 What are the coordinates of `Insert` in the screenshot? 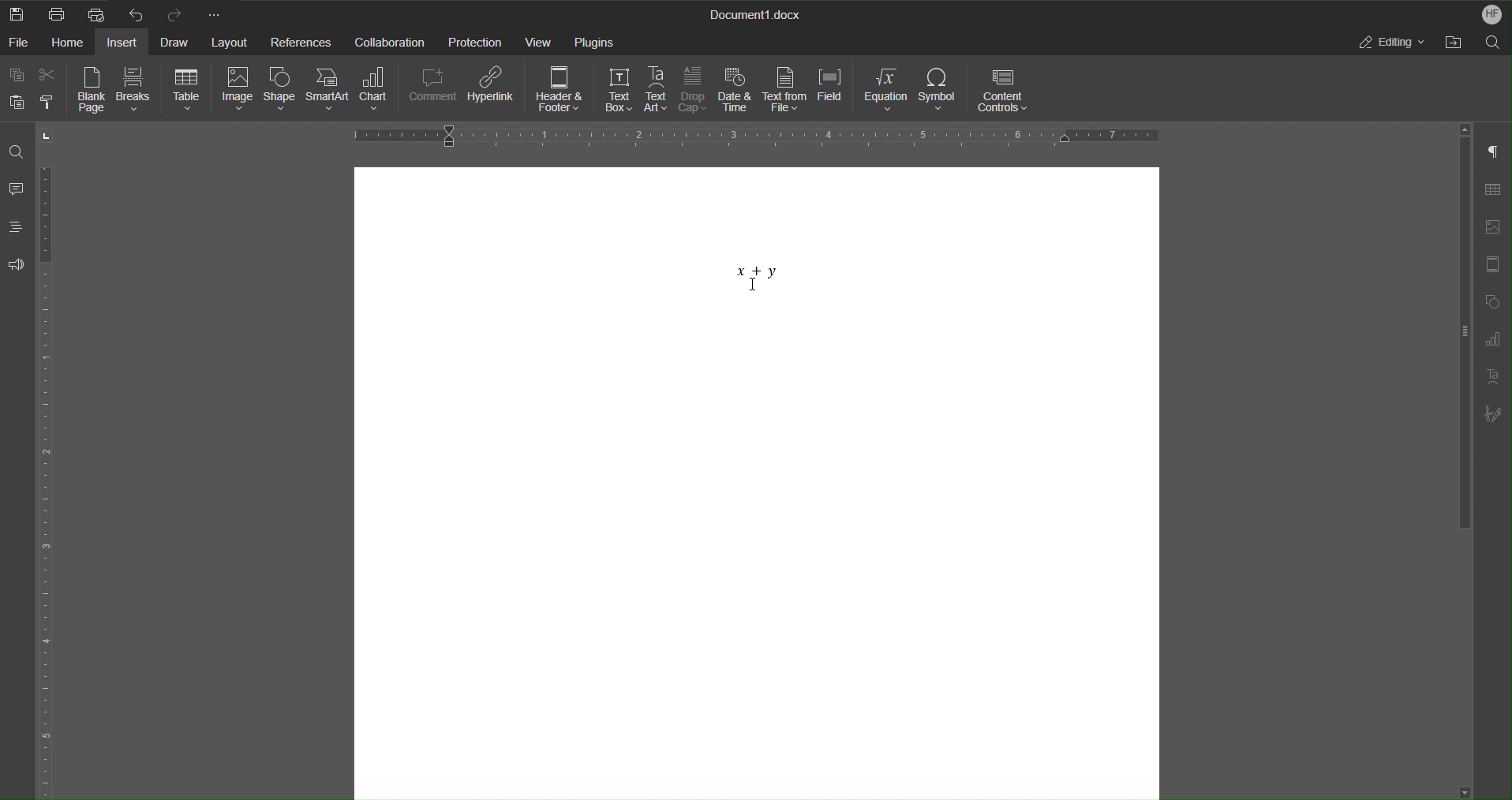 It's located at (121, 44).